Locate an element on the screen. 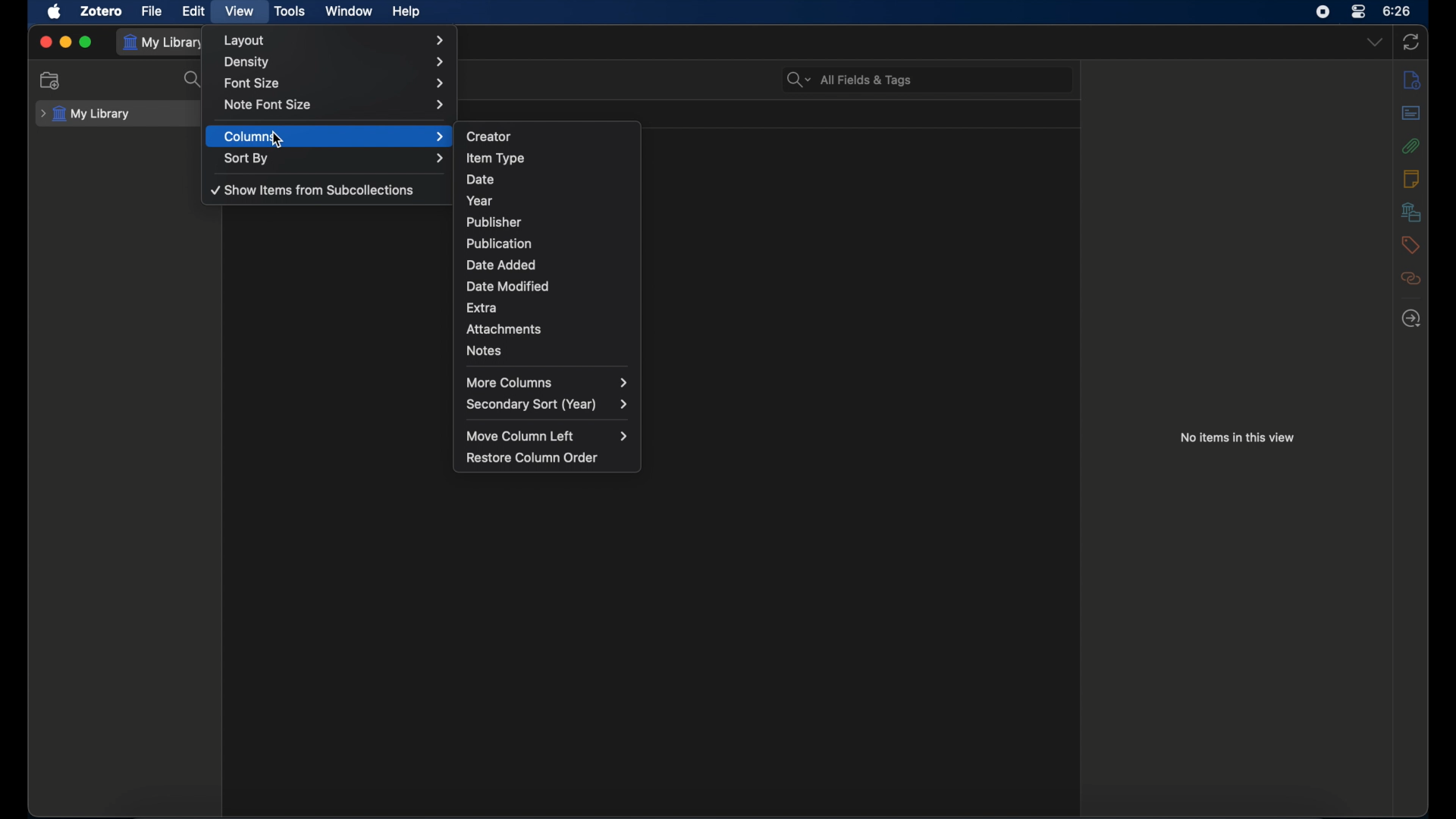  publisher is located at coordinates (546, 222).